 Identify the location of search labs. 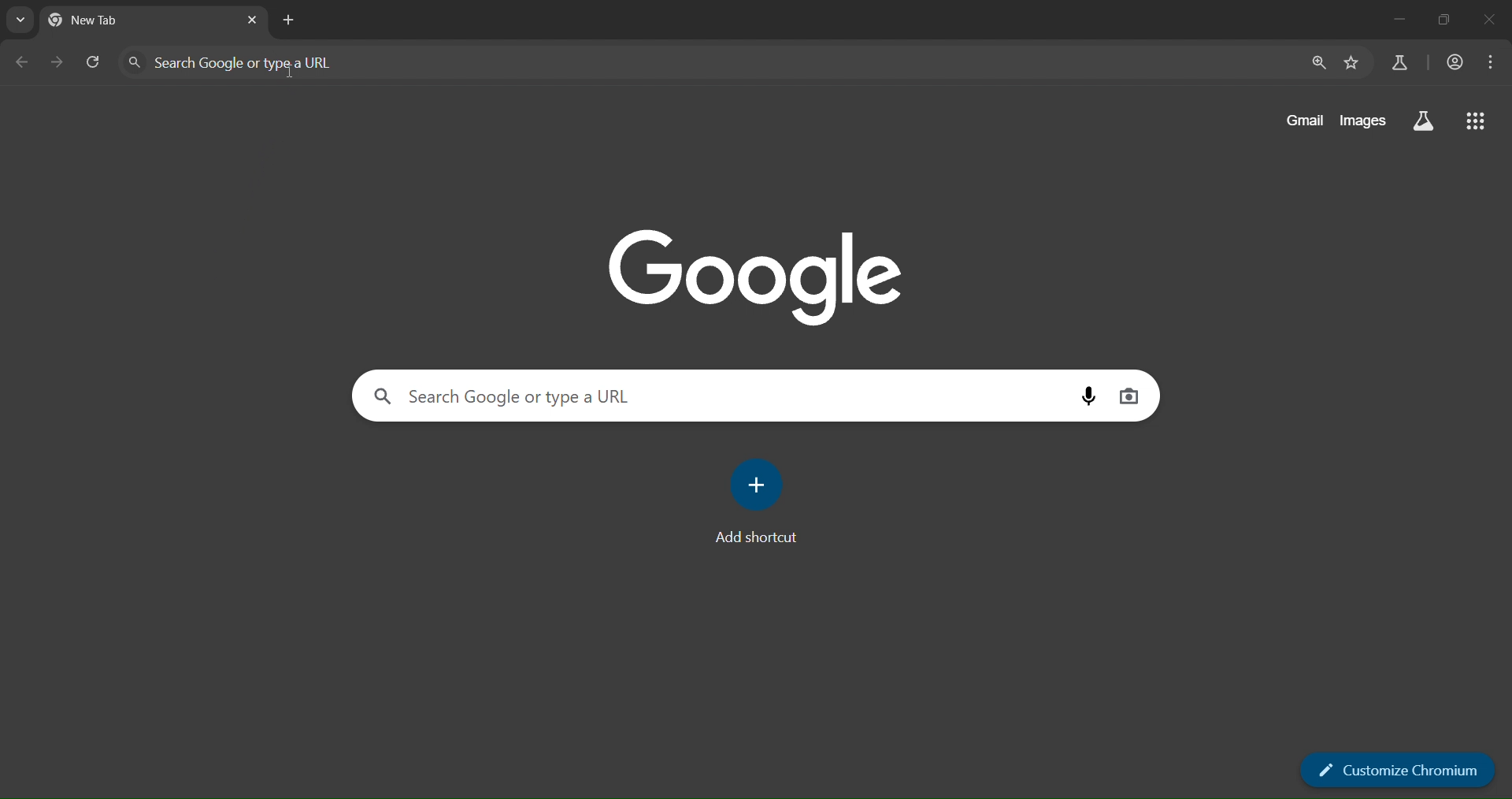
(1421, 121).